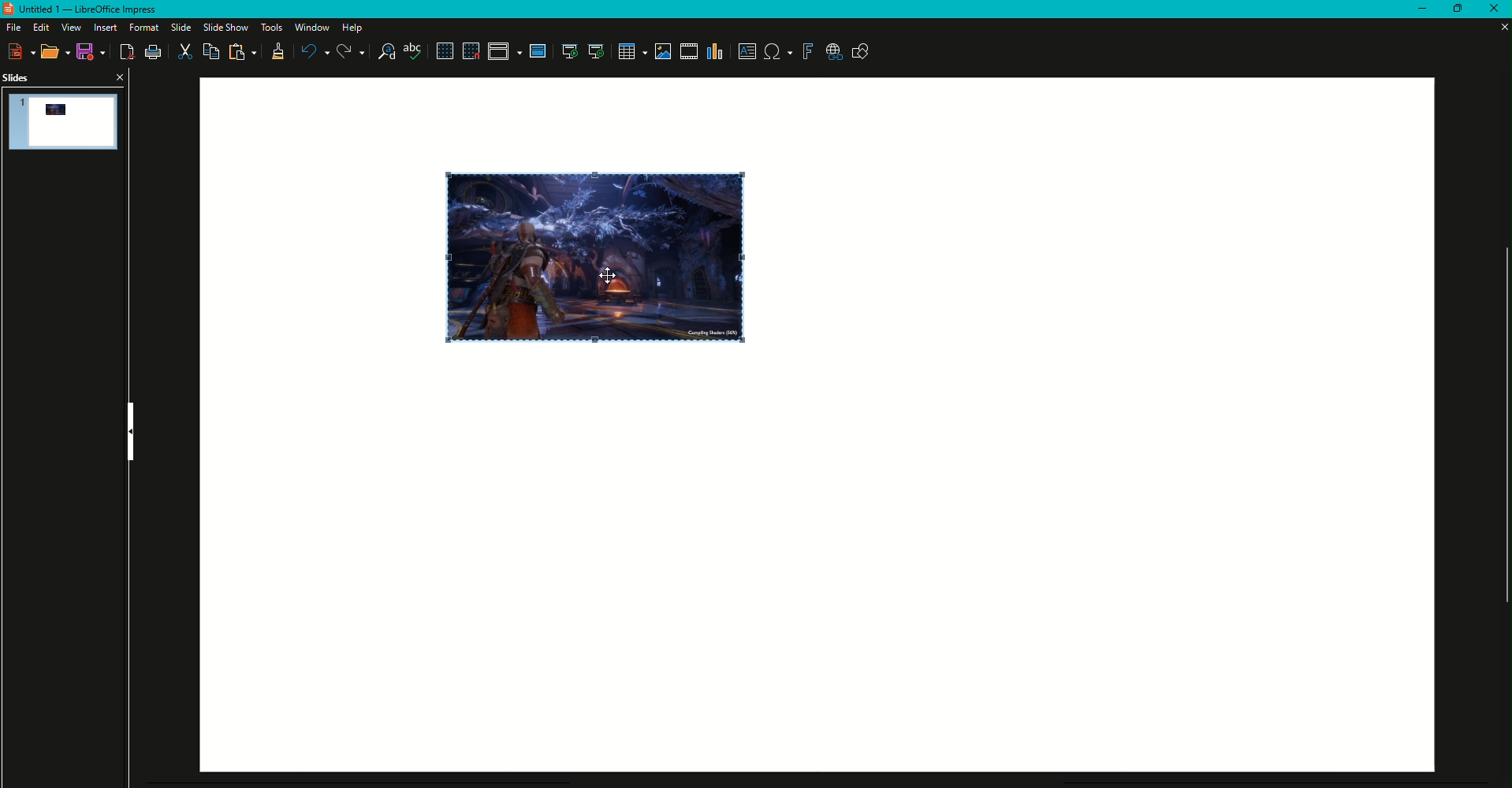 This screenshot has height=788, width=1512. What do you see at coordinates (23, 51) in the screenshot?
I see `New` at bounding box center [23, 51].